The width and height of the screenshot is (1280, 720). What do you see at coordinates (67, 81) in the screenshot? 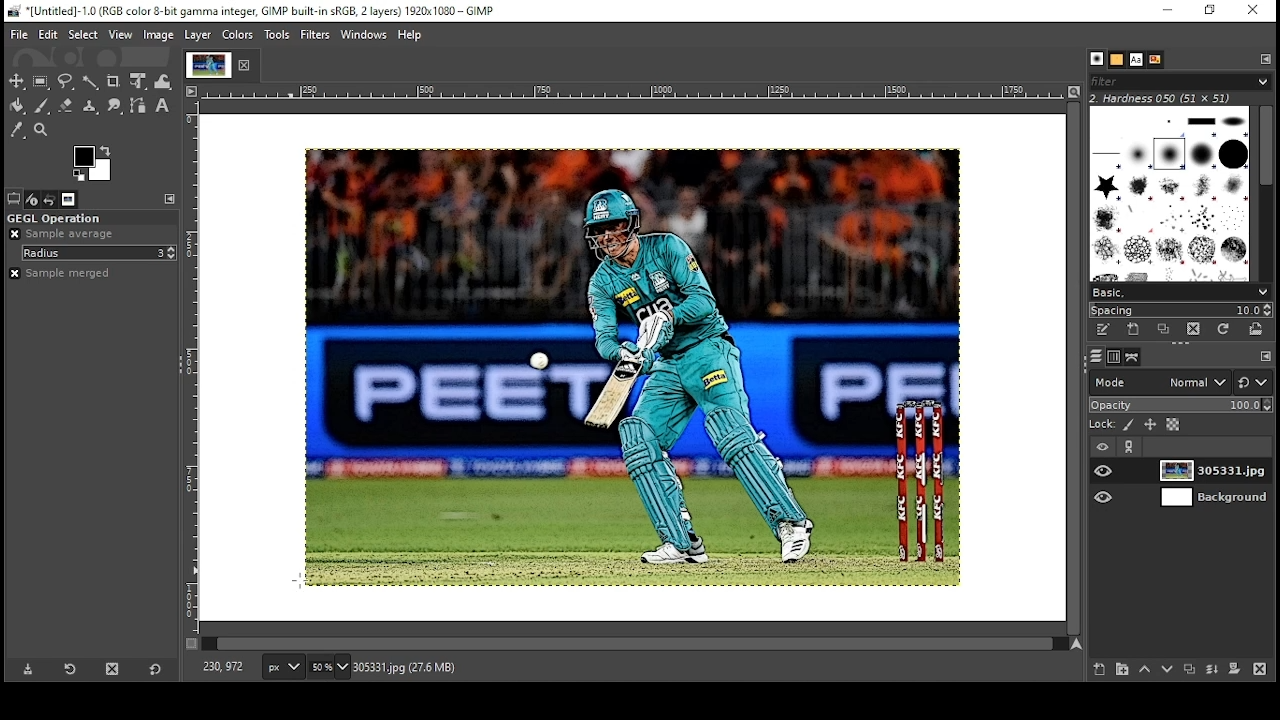
I see `free selection tool` at bounding box center [67, 81].